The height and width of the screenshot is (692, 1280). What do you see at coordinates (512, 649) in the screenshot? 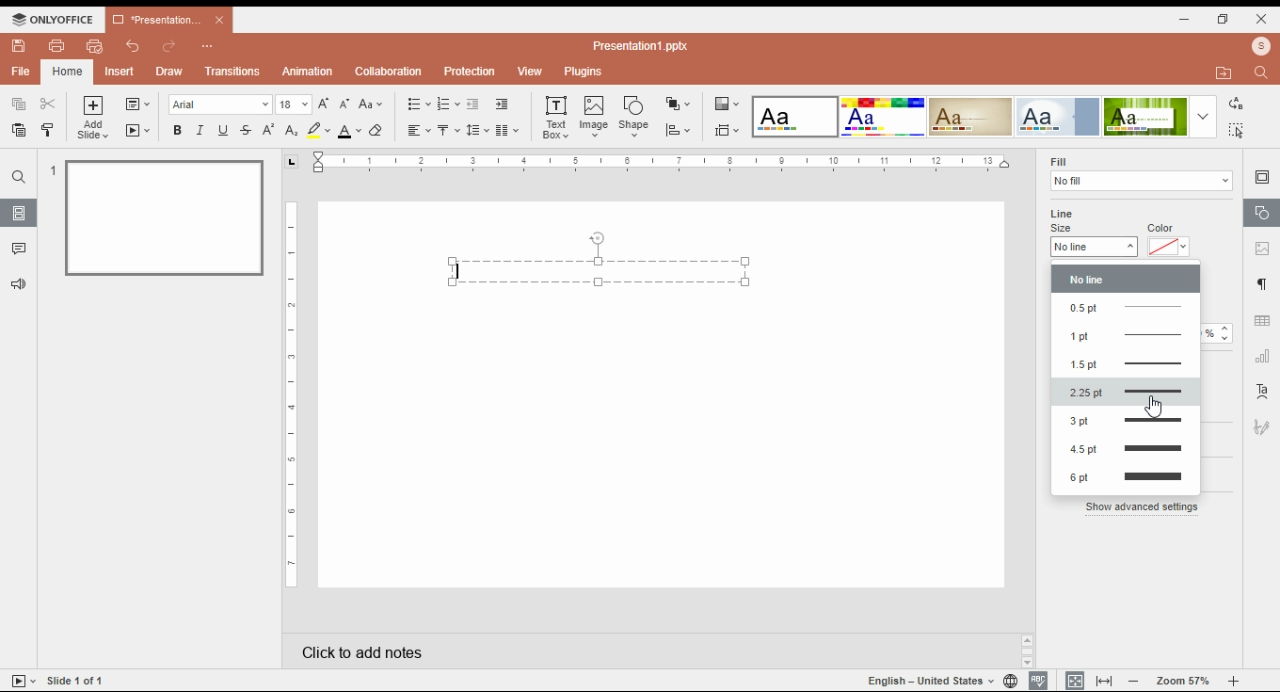
I see `click to add notes` at bounding box center [512, 649].